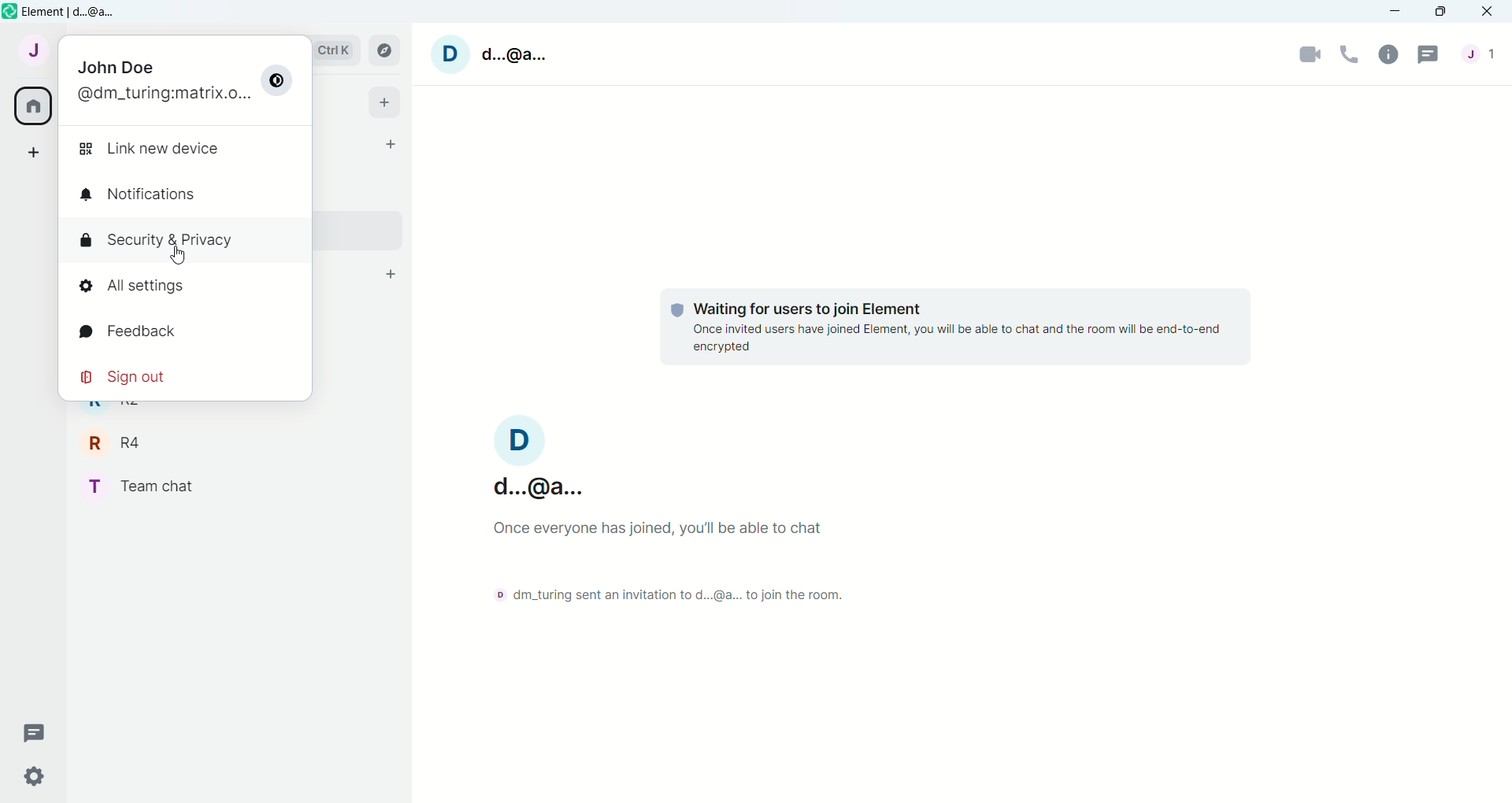  Describe the element at coordinates (143, 487) in the screenshot. I see `T Team chat` at that location.